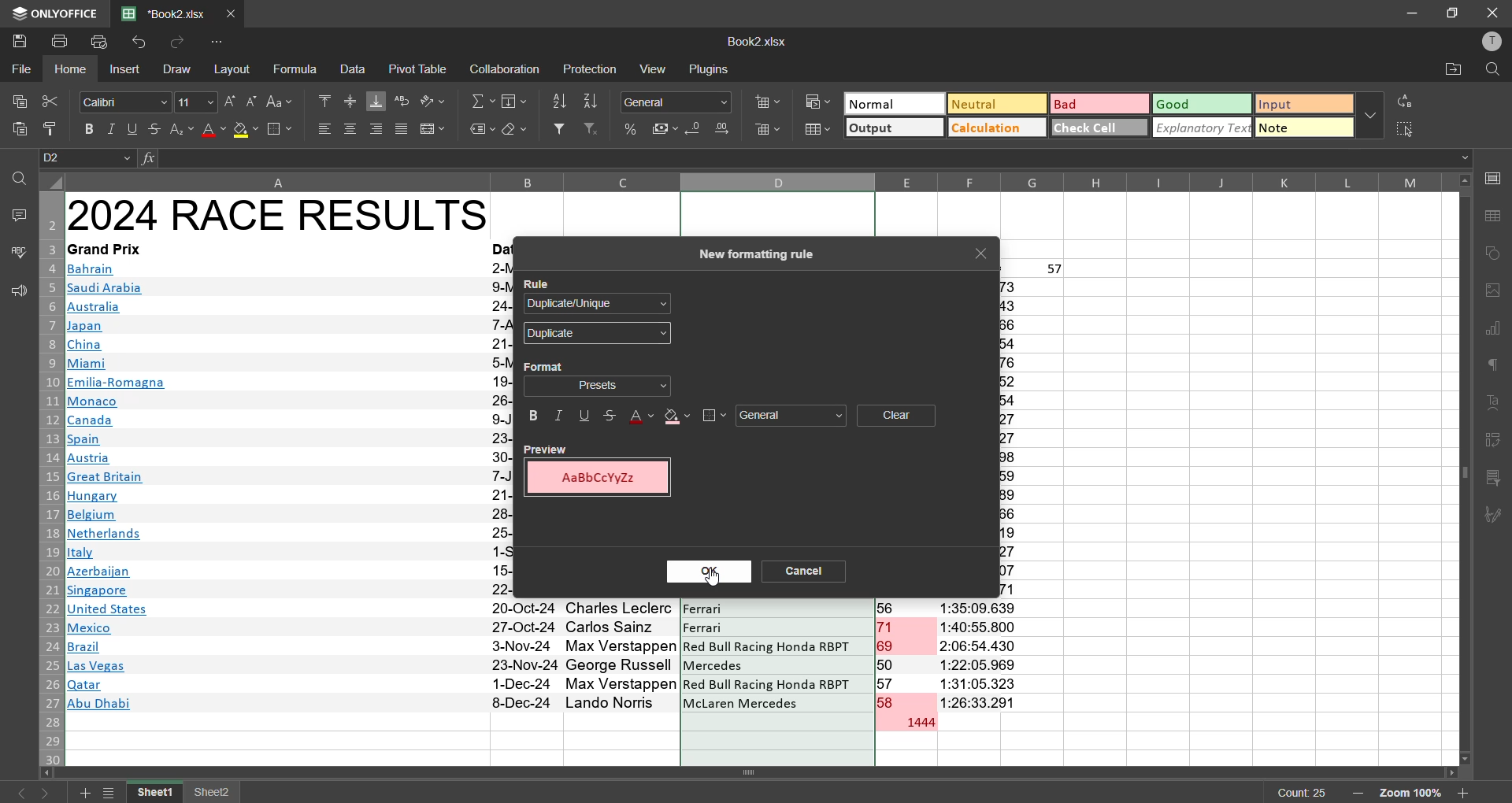 The image size is (1512, 803). I want to click on sort descending, so click(592, 102).